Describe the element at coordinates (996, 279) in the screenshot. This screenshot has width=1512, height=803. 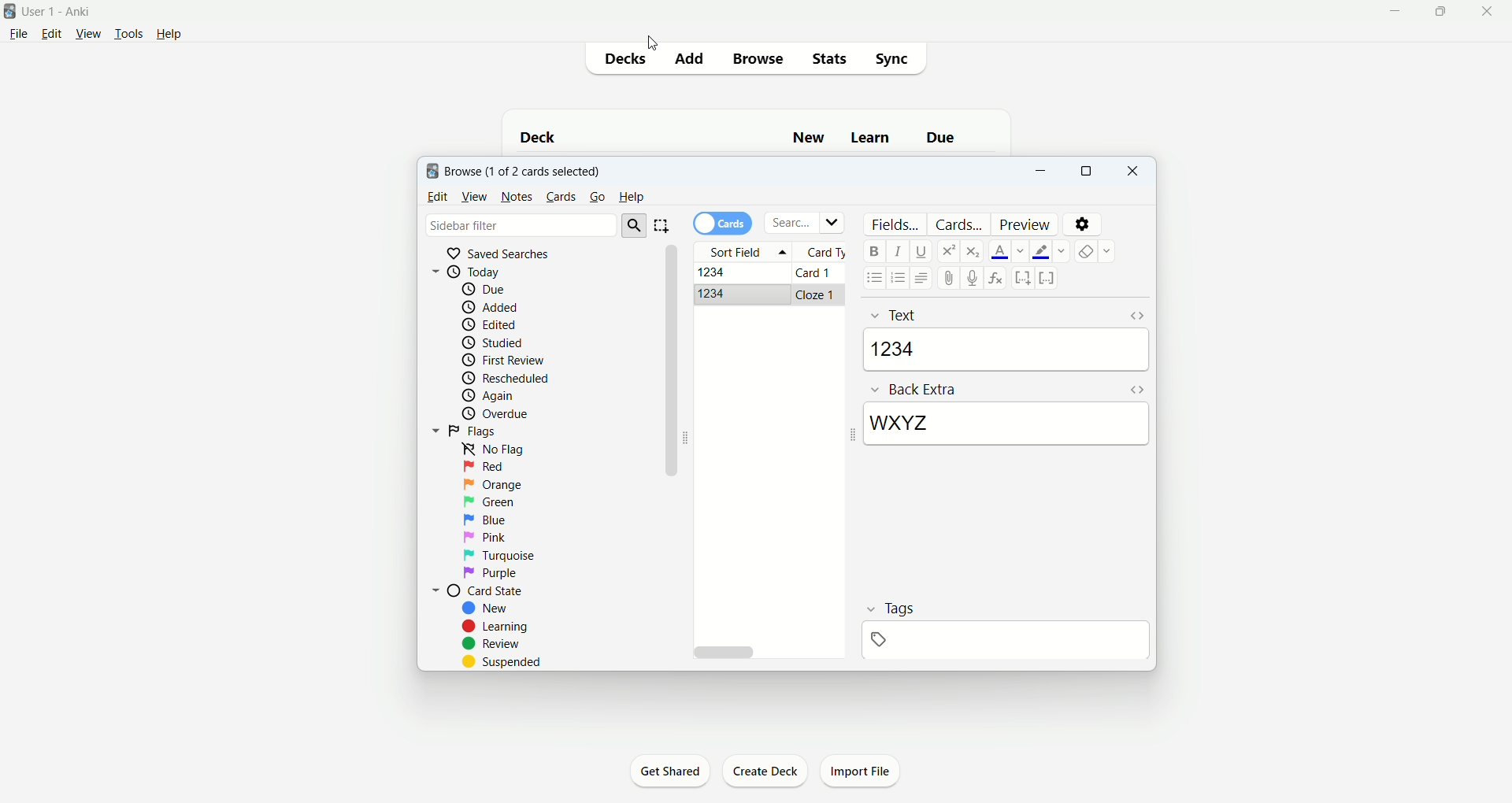
I see `formula` at that location.